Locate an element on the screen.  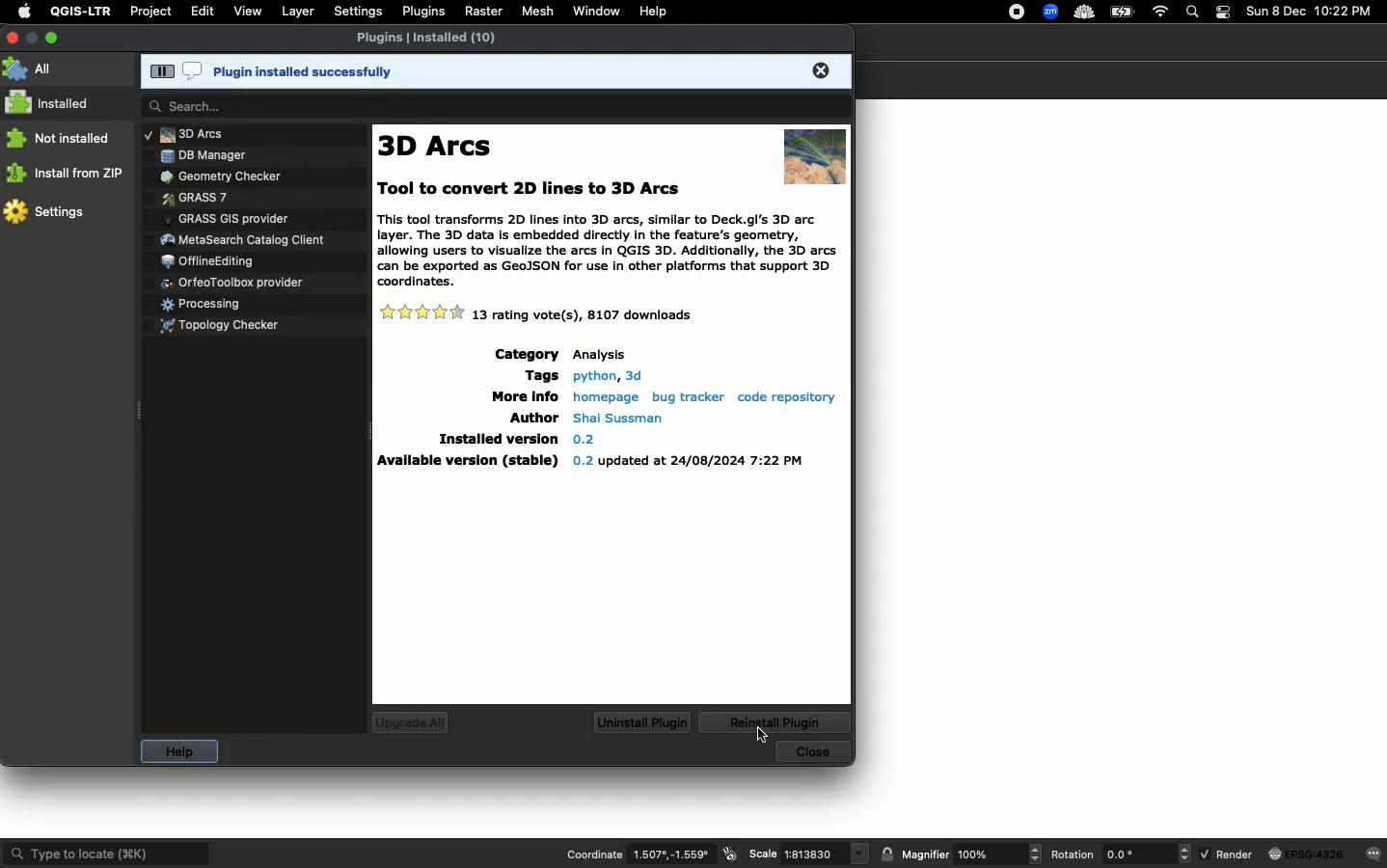
Apple is located at coordinates (21, 12).